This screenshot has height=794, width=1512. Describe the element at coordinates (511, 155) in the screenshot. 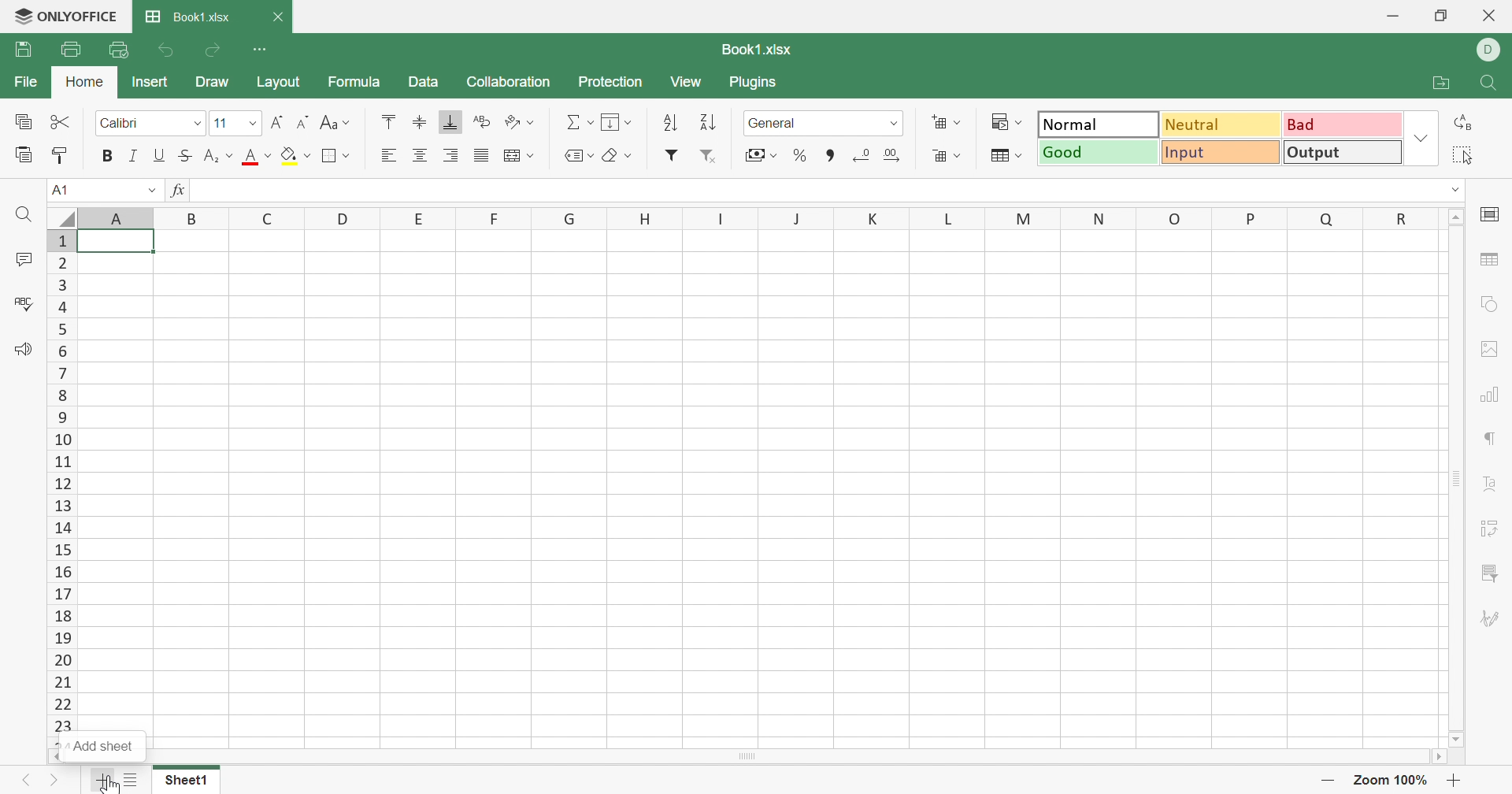

I see `Merge and Center` at that location.